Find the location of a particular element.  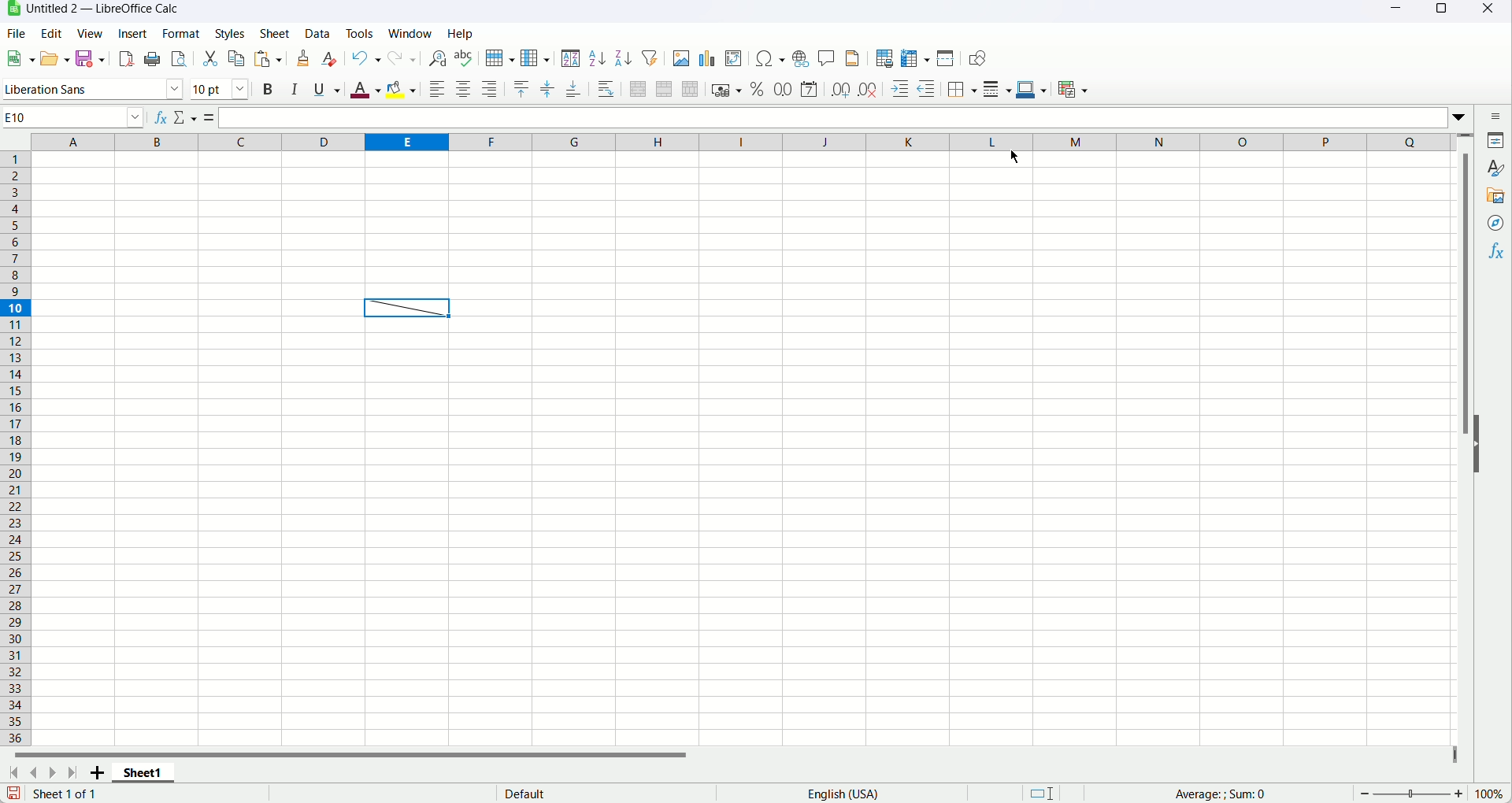

Sort descending is located at coordinates (624, 57).